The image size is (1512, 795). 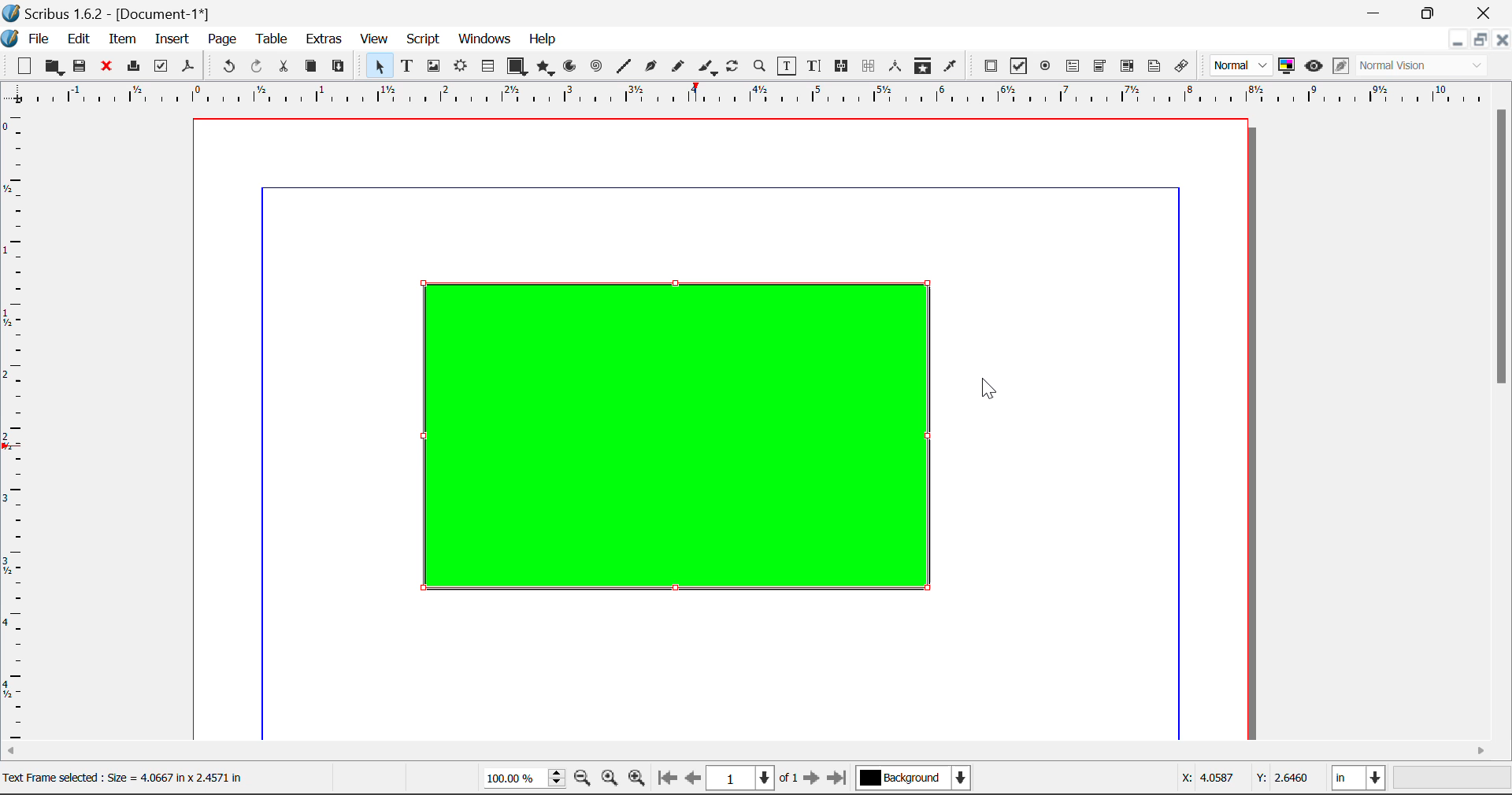 I want to click on Cursor Position AFTER_LAST_ACTION, so click(x=991, y=393).